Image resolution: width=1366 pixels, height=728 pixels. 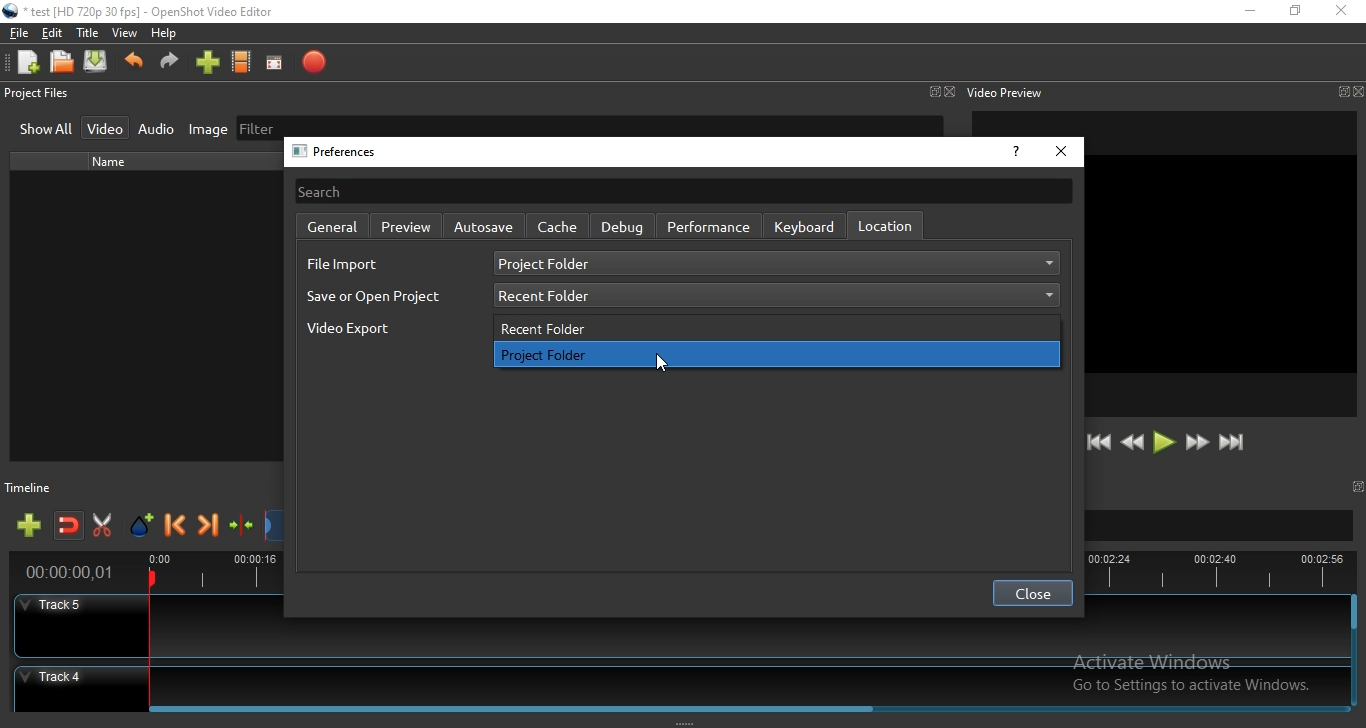 What do you see at coordinates (1005, 92) in the screenshot?
I see `Video preview` at bounding box center [1005, 92].